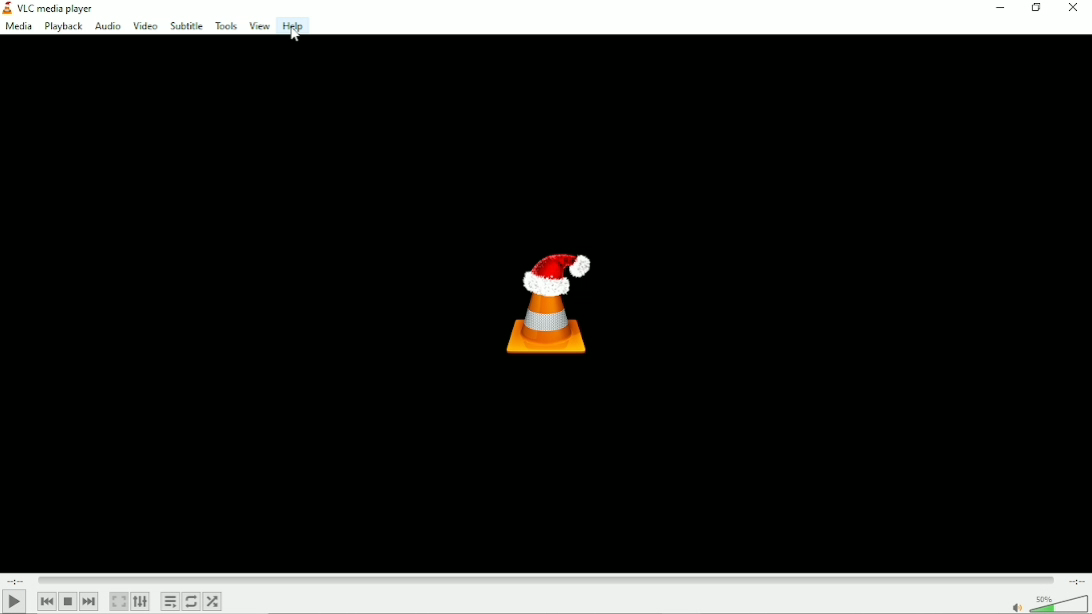 The width and height of the screenshot is (1092, 614). I want to click on Elapsed time, so click(16, 579).